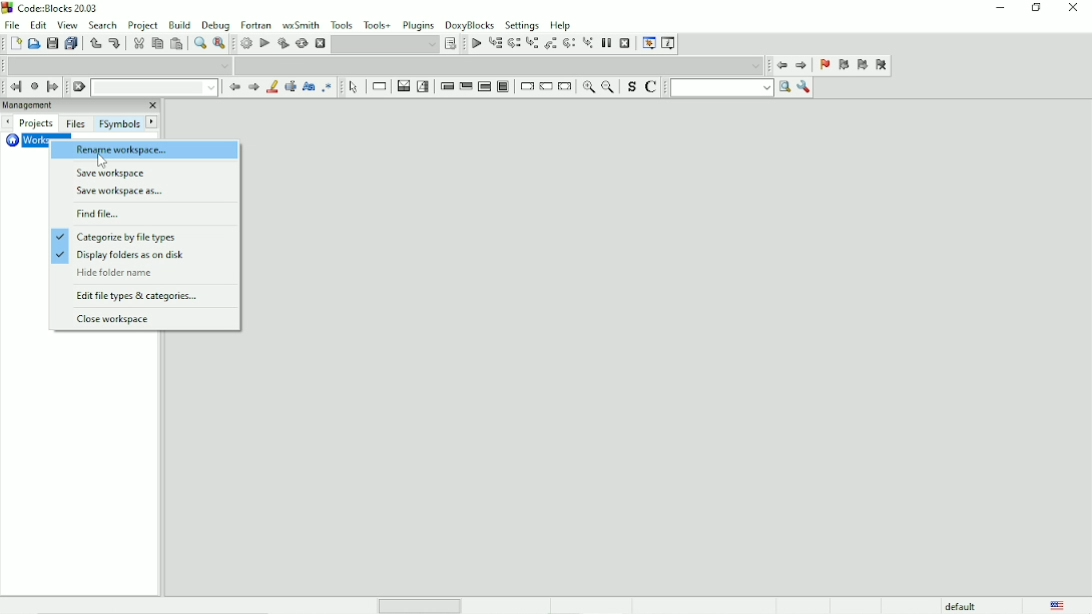 The height and width of the screenshot is (614, 1092). What do you see at coordinates (326, 87) in the screenshot?
I see `Use regex` at bounding box center [326, 87].